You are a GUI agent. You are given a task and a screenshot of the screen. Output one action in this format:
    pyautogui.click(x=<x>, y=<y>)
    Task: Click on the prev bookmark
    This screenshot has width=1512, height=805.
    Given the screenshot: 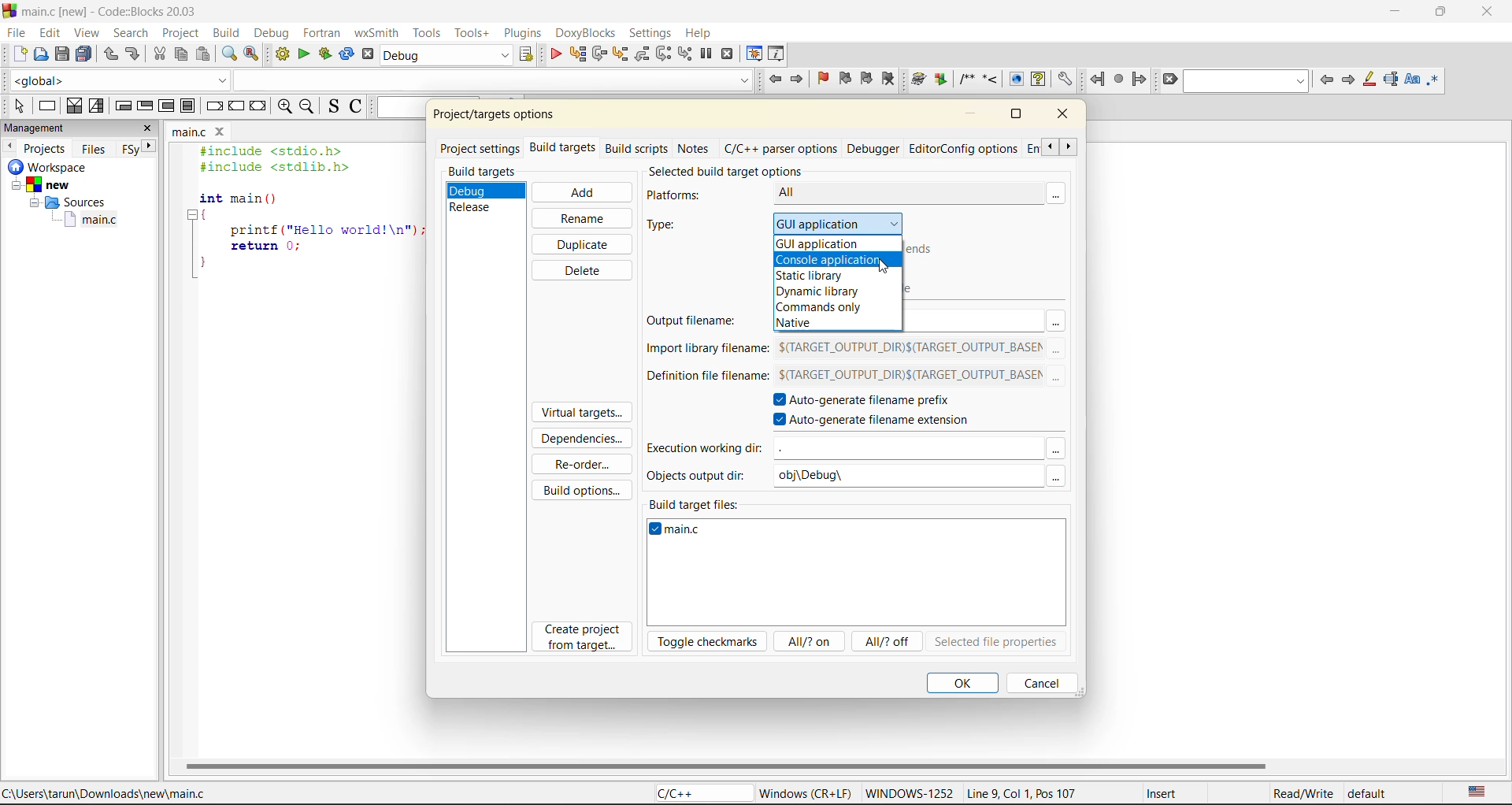 What is the action you would take?
    pyautogui.click(x=845, y=80)
    